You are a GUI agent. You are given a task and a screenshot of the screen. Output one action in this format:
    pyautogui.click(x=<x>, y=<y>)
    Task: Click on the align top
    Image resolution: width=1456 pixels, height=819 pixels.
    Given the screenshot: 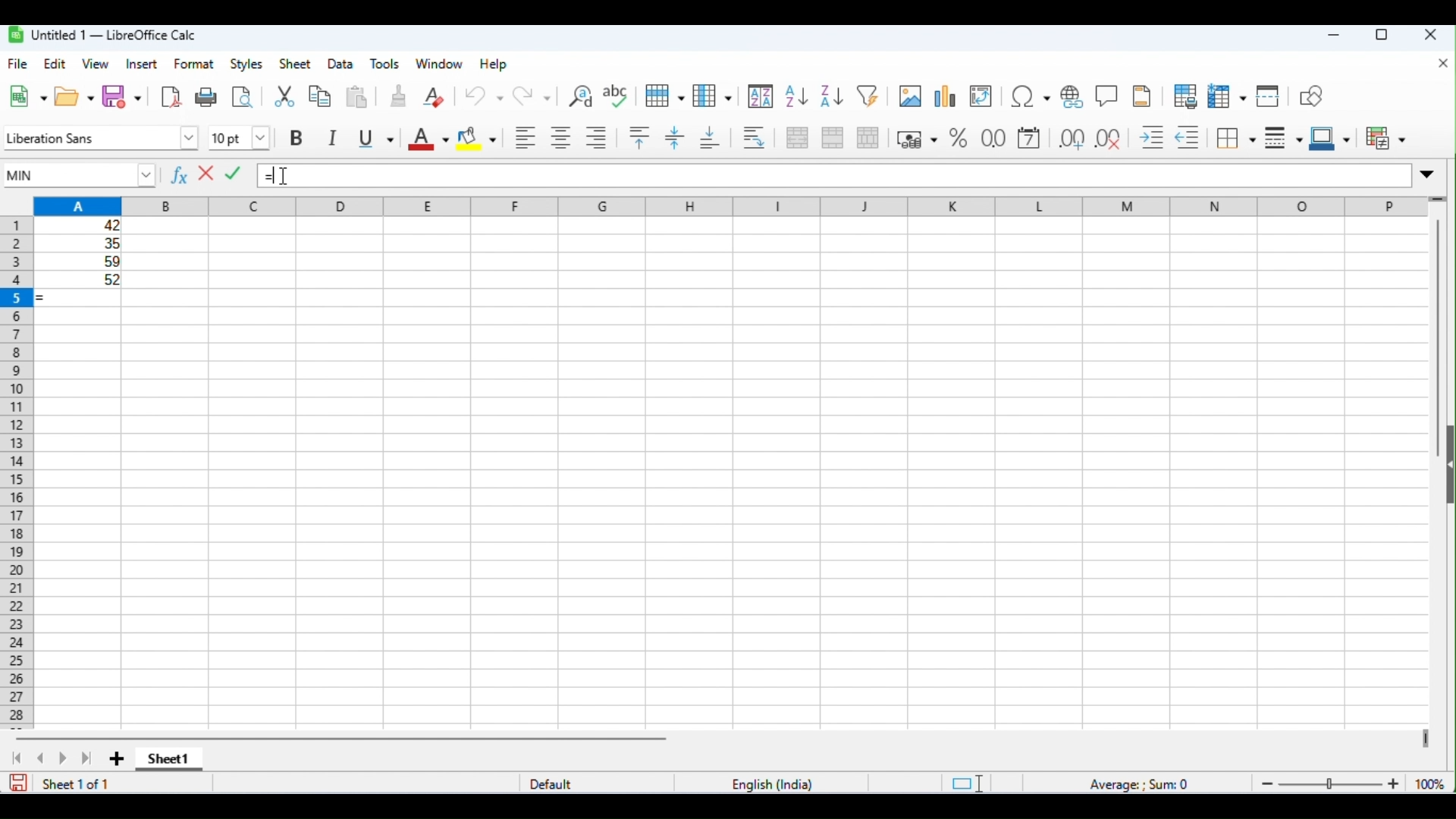 What is the action you would take?
    pyautogui.click(x=642, y=137)
    